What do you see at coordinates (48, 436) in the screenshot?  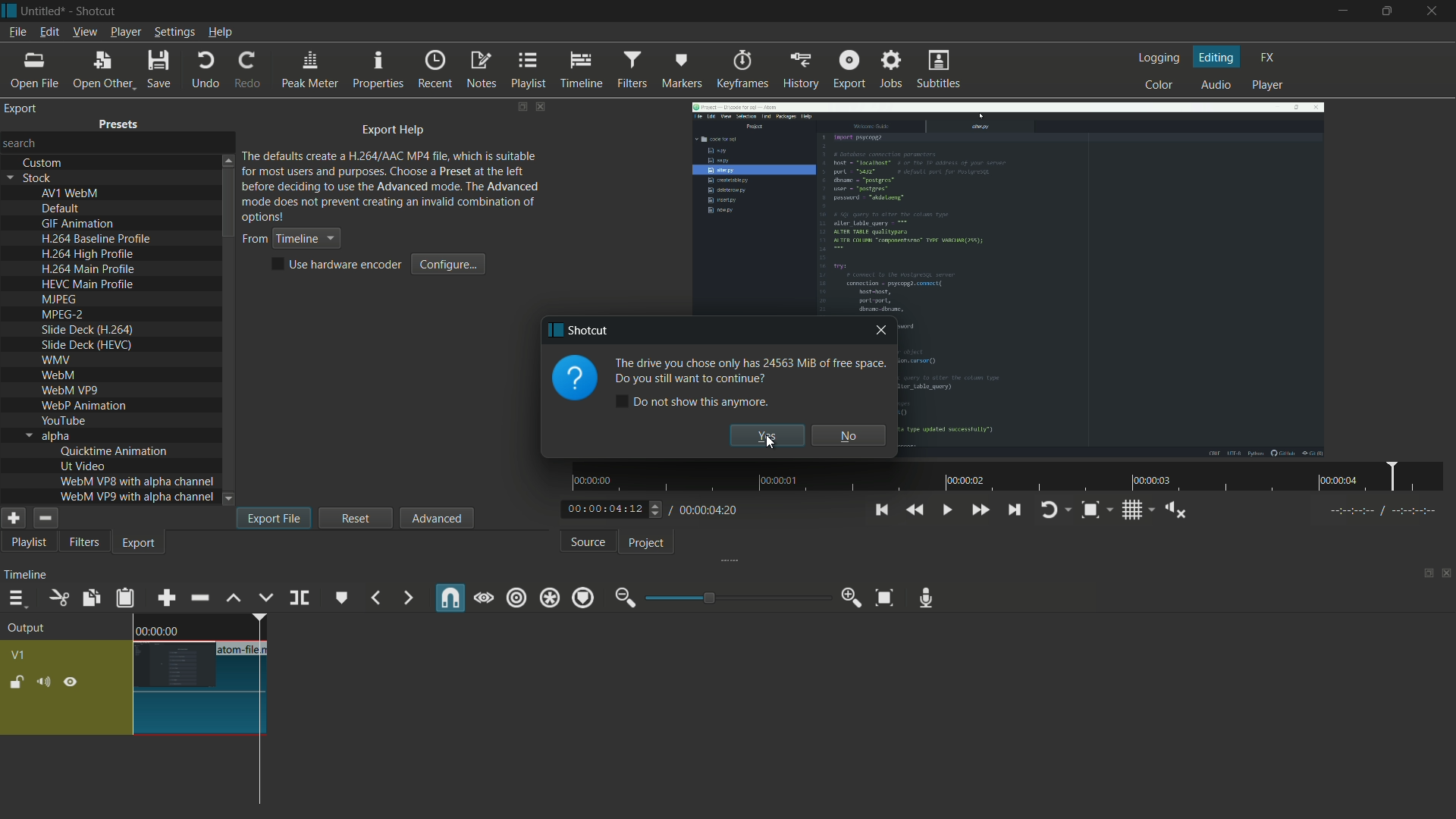 I see `alpha dropdown` at bounding box center [48, 436].